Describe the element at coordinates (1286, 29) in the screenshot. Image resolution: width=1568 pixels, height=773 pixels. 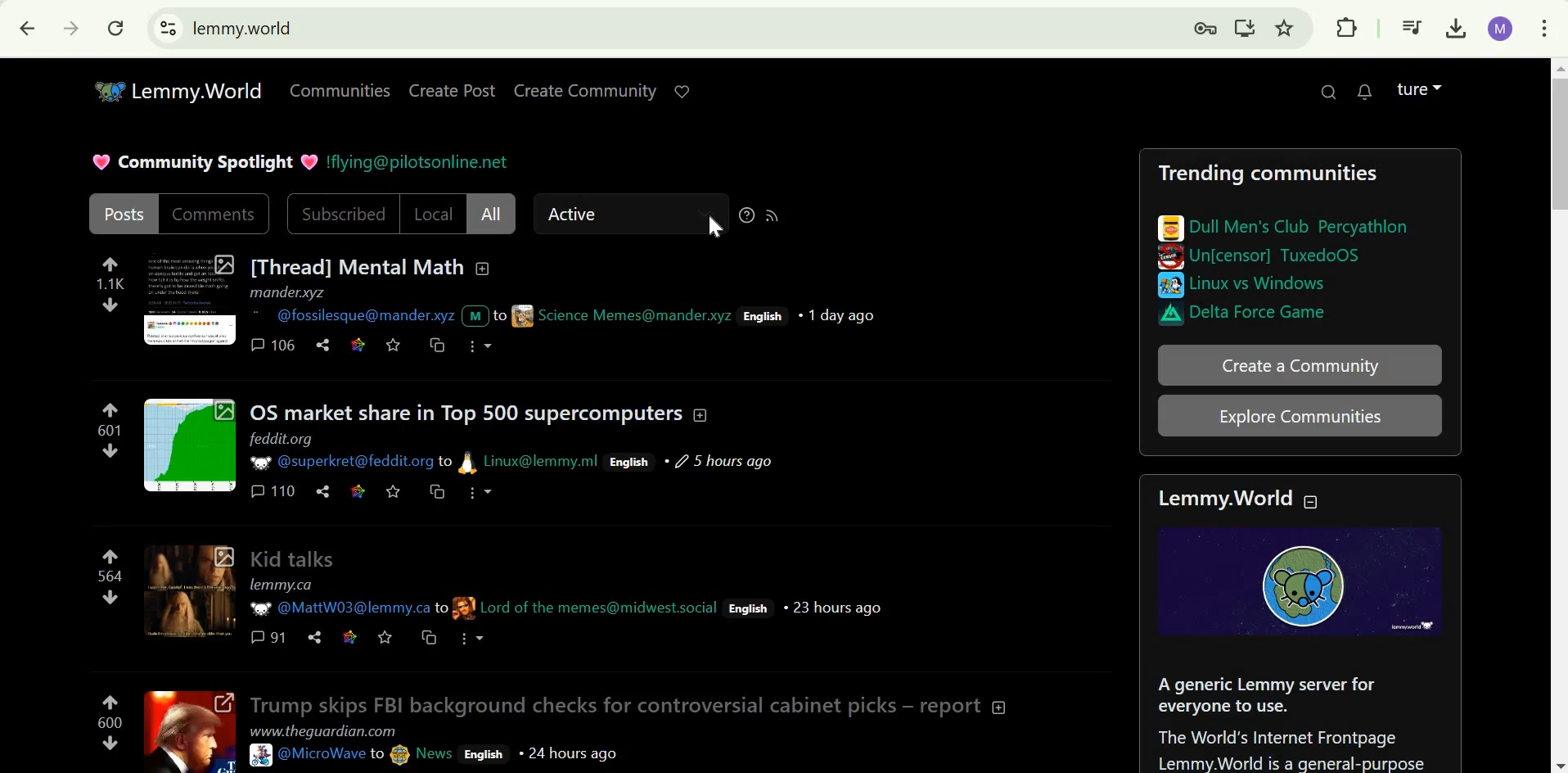
I see `Bookmark this page` at that location.